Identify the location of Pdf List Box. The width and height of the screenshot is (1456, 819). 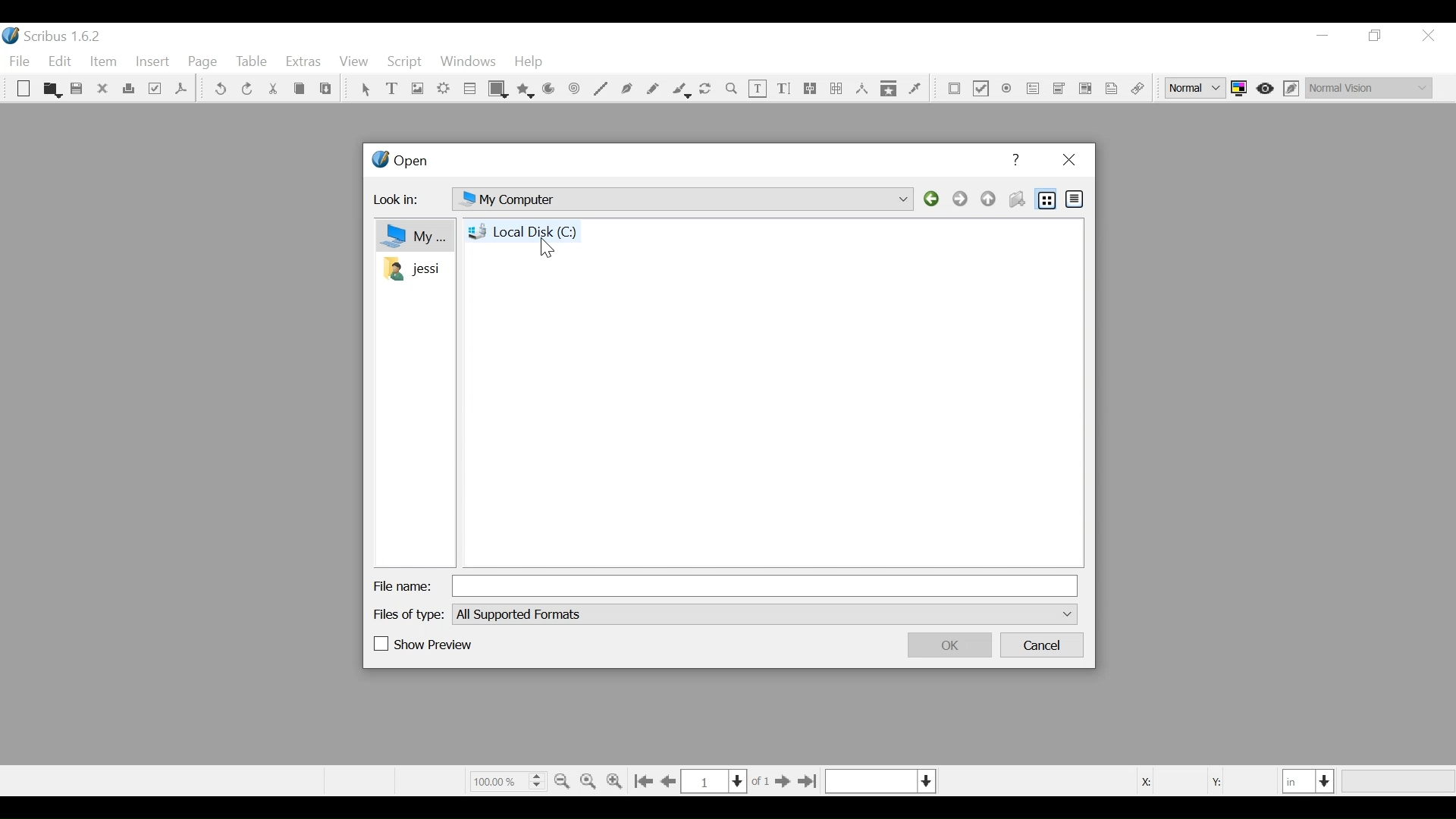
(1086, 88).